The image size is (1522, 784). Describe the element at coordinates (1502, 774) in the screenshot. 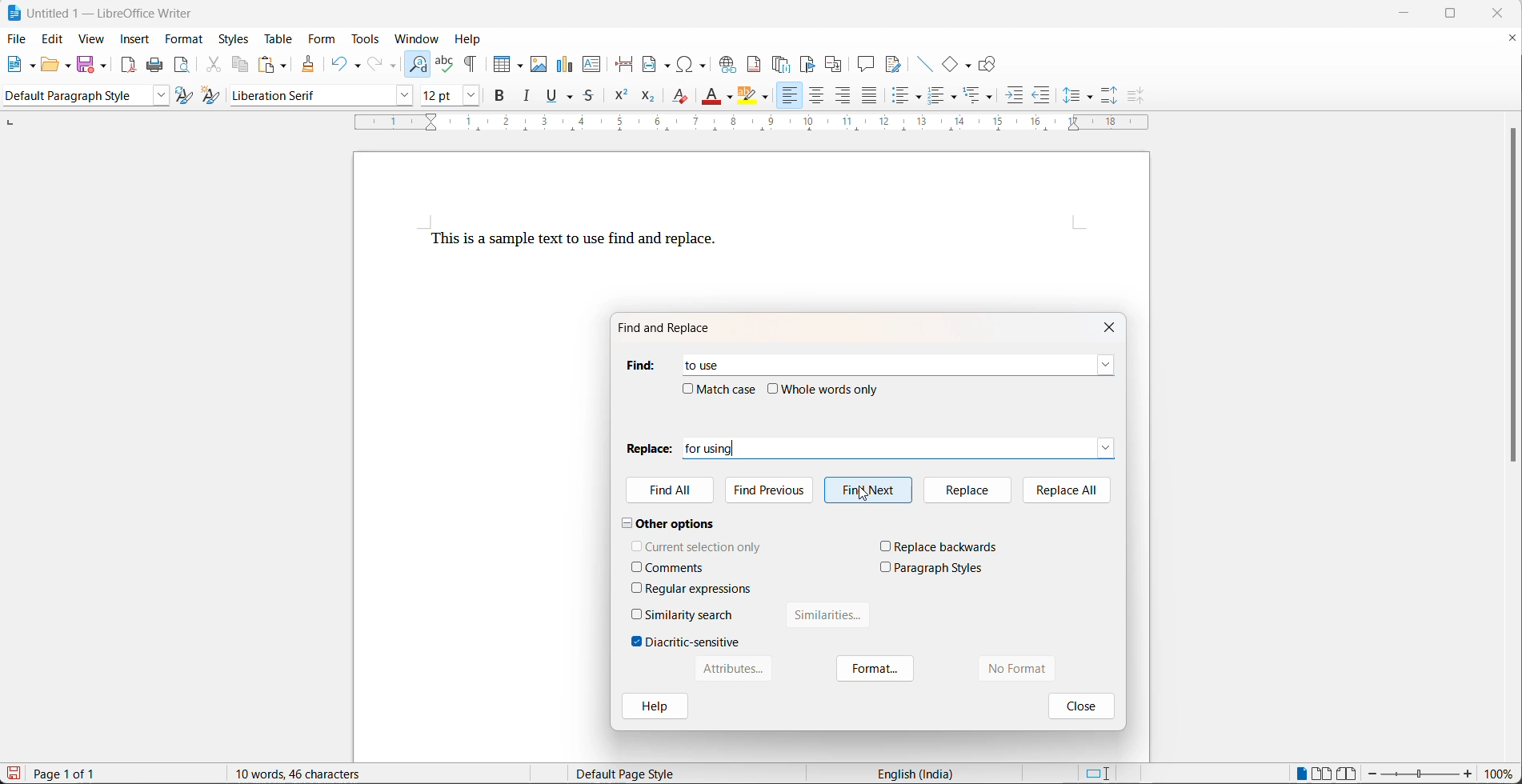

I see `zoom percentage` at that location.